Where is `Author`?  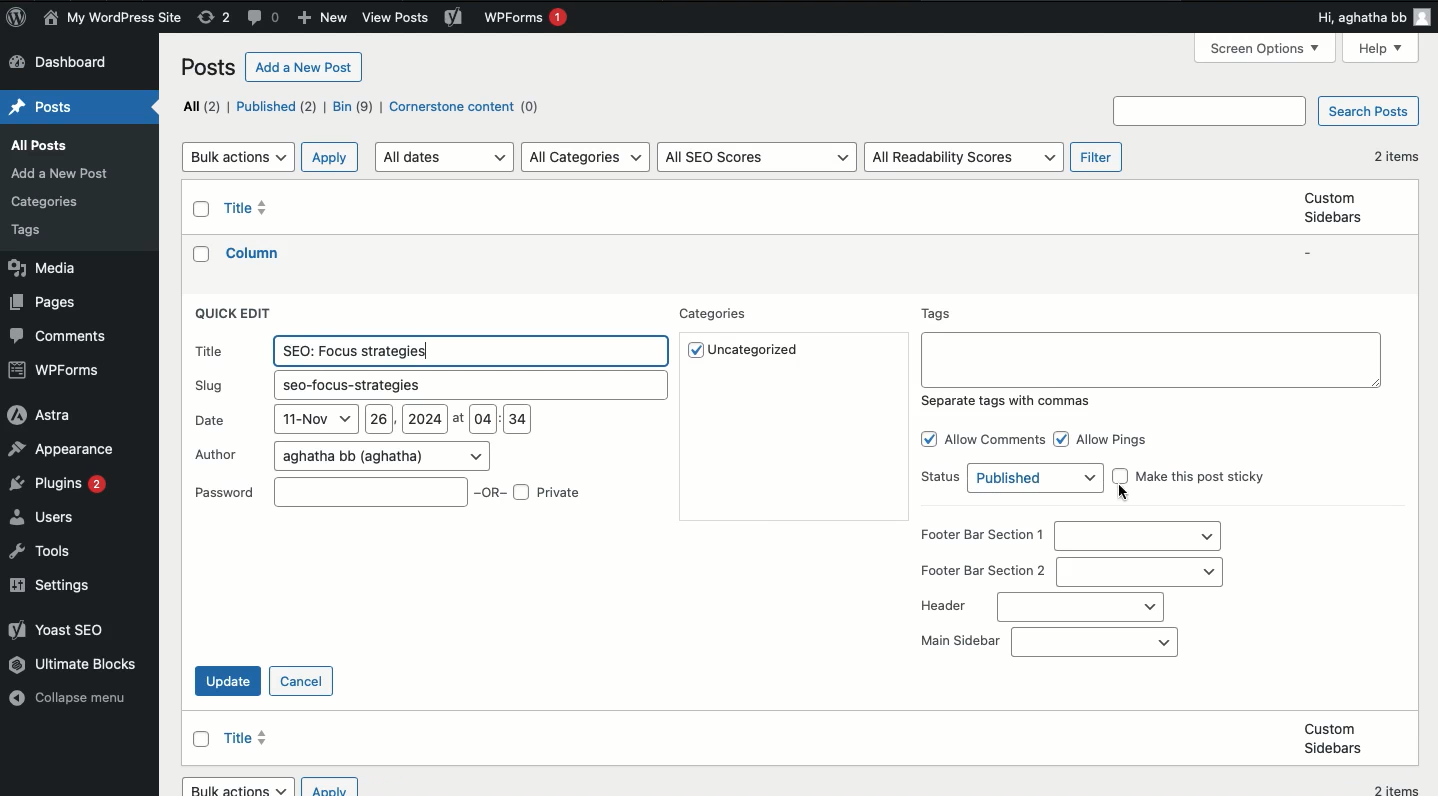 Author is located at coordinates (218, 455).